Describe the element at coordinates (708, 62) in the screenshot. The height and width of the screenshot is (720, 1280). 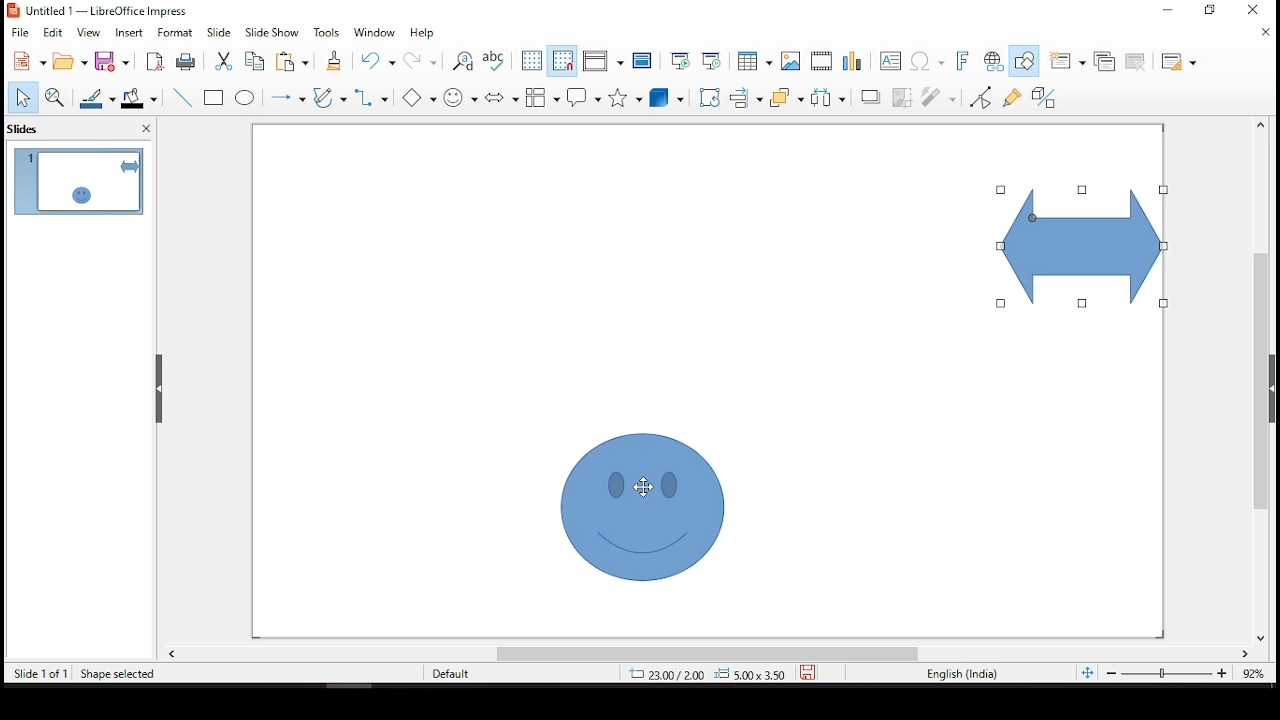
I see `start from current slide` at that location.